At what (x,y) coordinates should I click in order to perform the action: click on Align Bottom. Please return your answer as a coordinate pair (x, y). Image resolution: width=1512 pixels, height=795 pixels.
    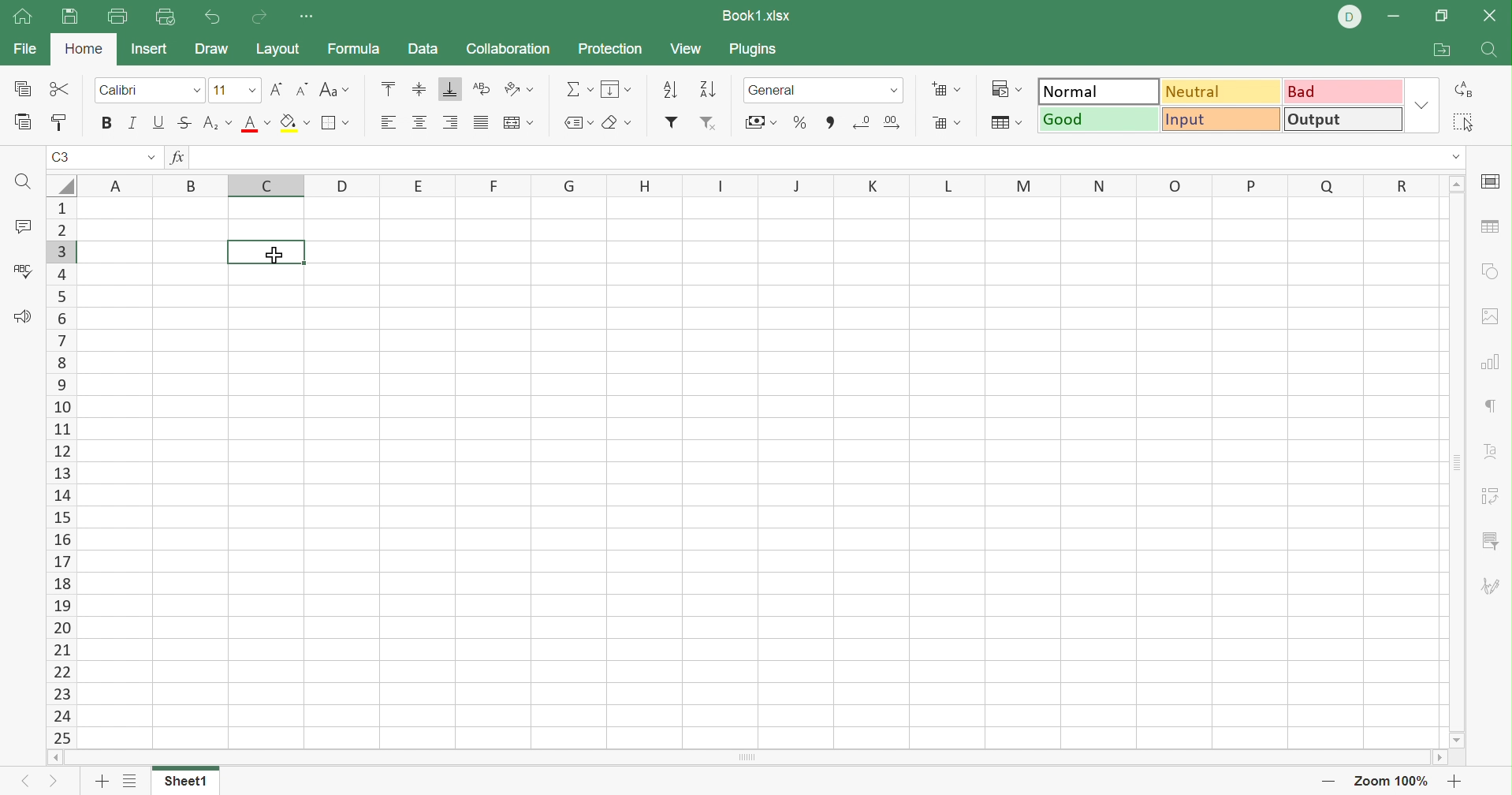
    Looking at the image, I should click on (450, 88).